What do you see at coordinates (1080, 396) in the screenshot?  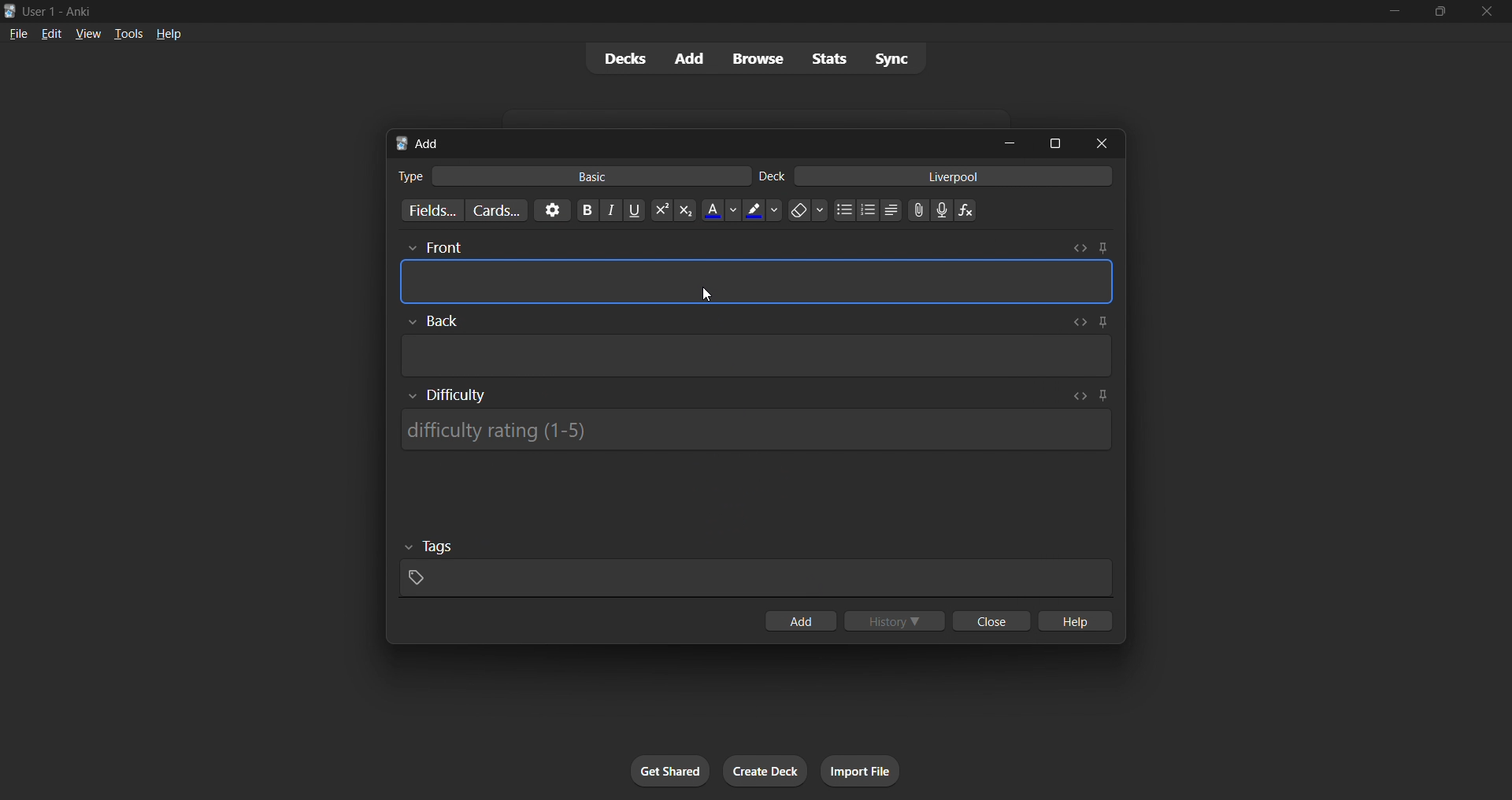 I see `Toggle HTML editor` at bounding box center [1080, 396].